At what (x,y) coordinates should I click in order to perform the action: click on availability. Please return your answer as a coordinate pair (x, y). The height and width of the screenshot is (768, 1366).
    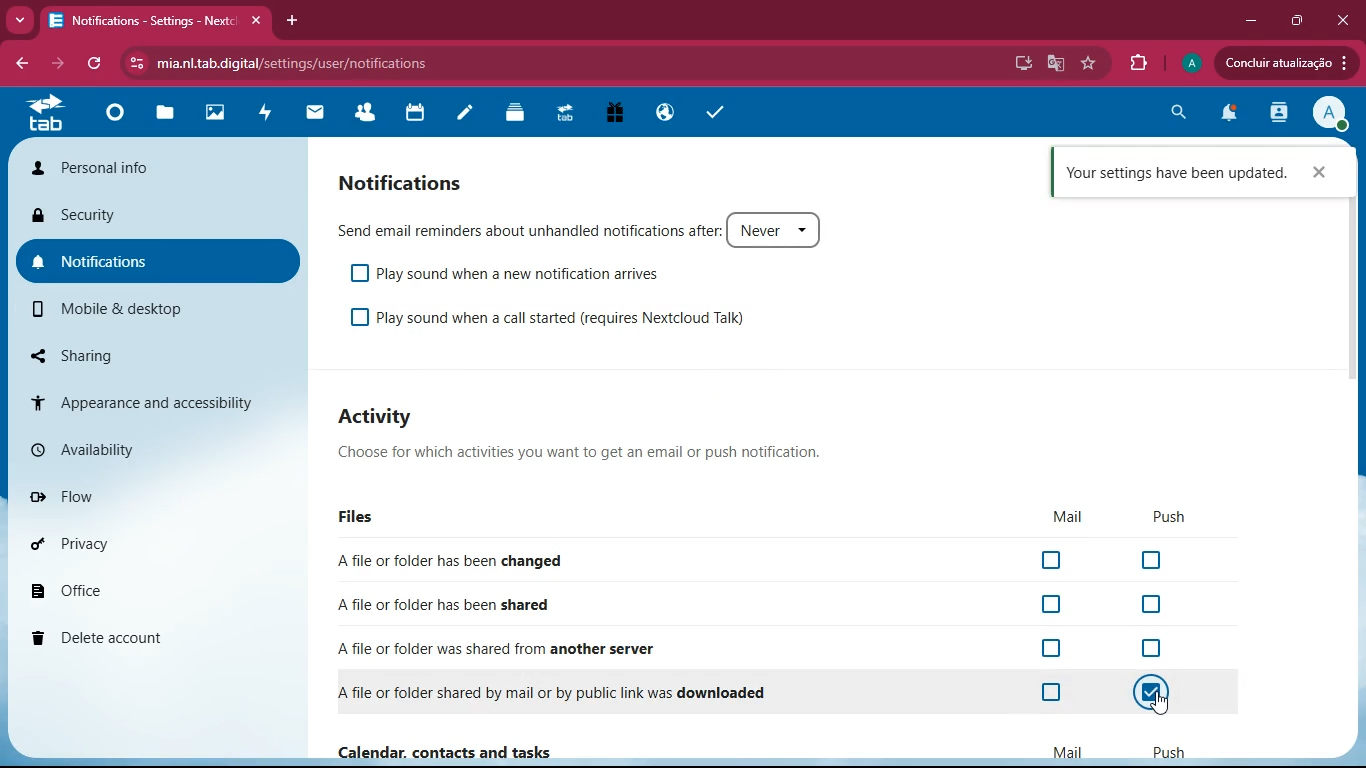
    Looking at the image, I should click on (143, 445).